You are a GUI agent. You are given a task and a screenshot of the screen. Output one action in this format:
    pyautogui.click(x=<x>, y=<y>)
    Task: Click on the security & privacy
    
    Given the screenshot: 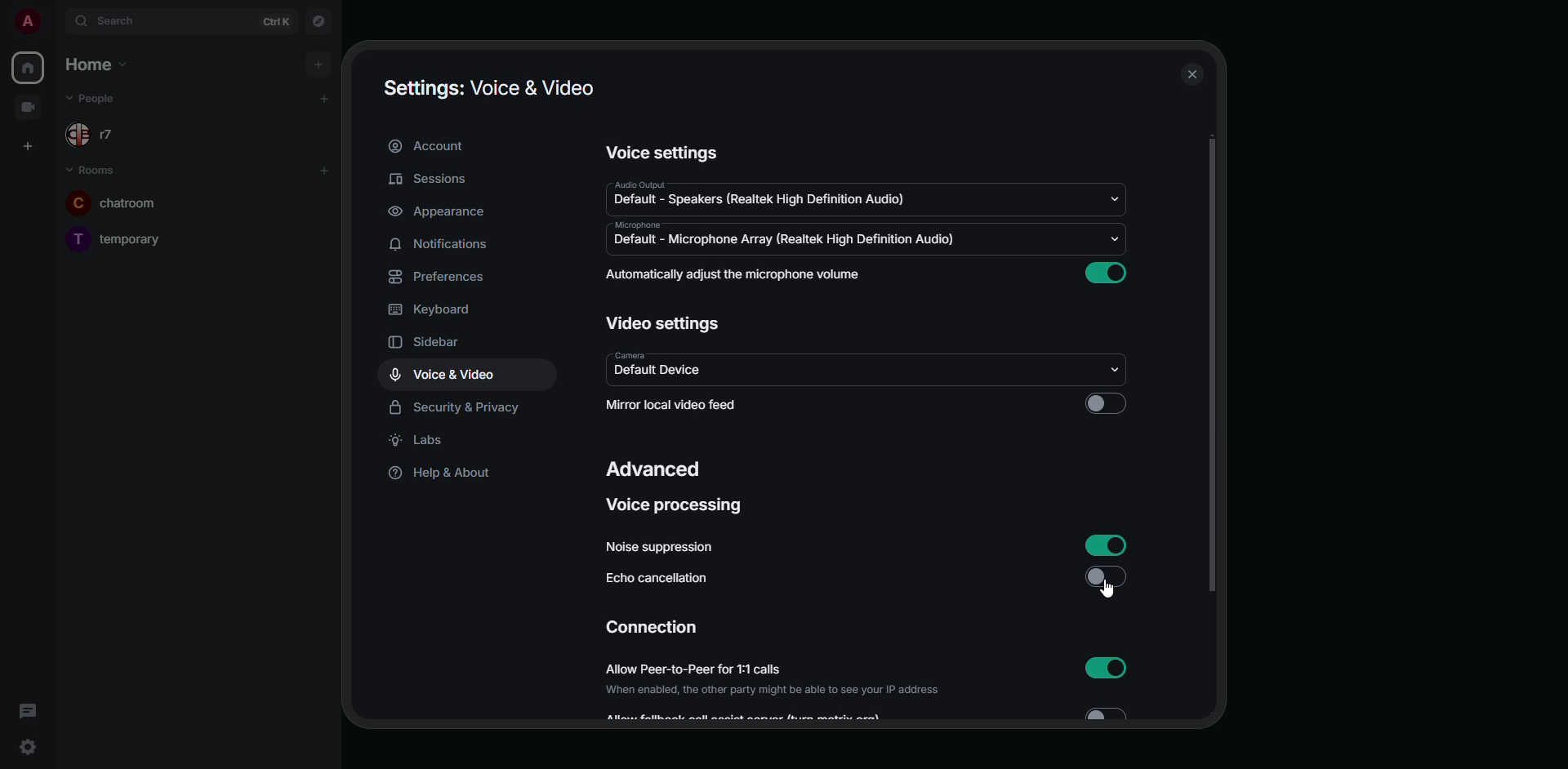 What is the action you would take?
    pyautogui.click(x=458, y=408)
    